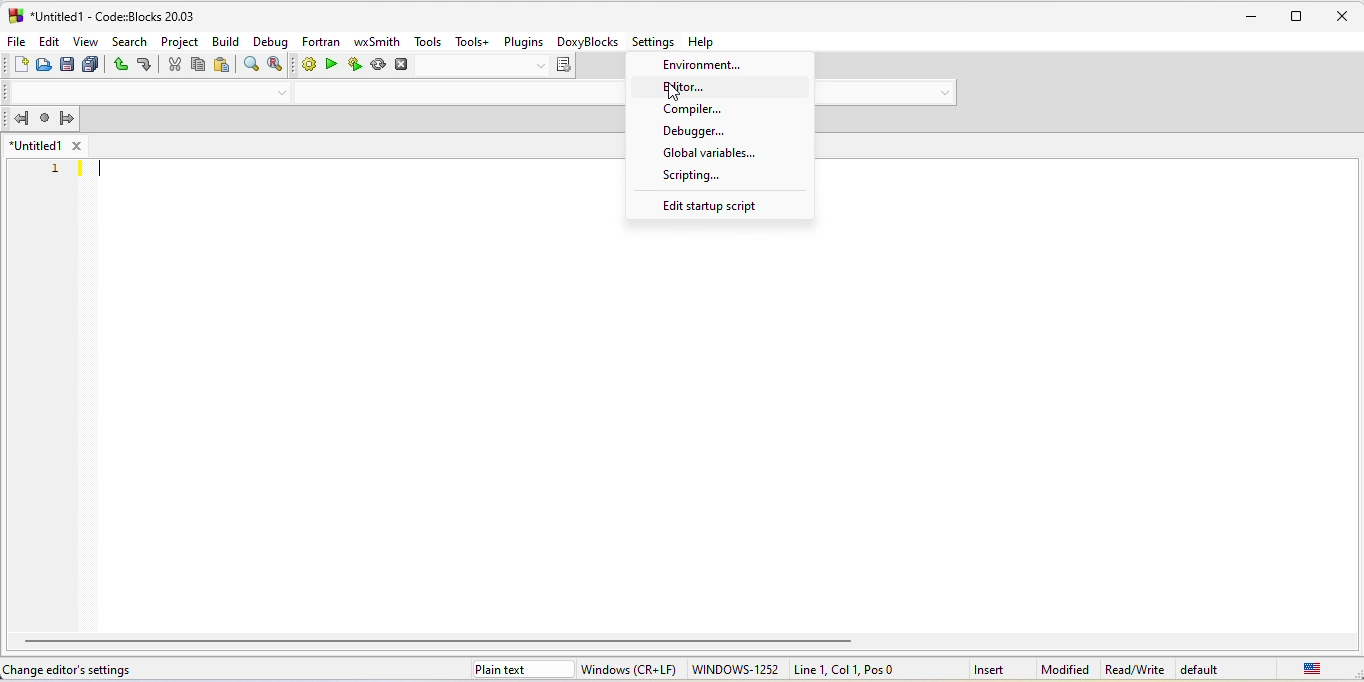 The width and height of the screenshot is (1364, 682). What do you see at coordinates (524, 42) in the screenshot?
I see `plugins` at bounding box center [524, 42].